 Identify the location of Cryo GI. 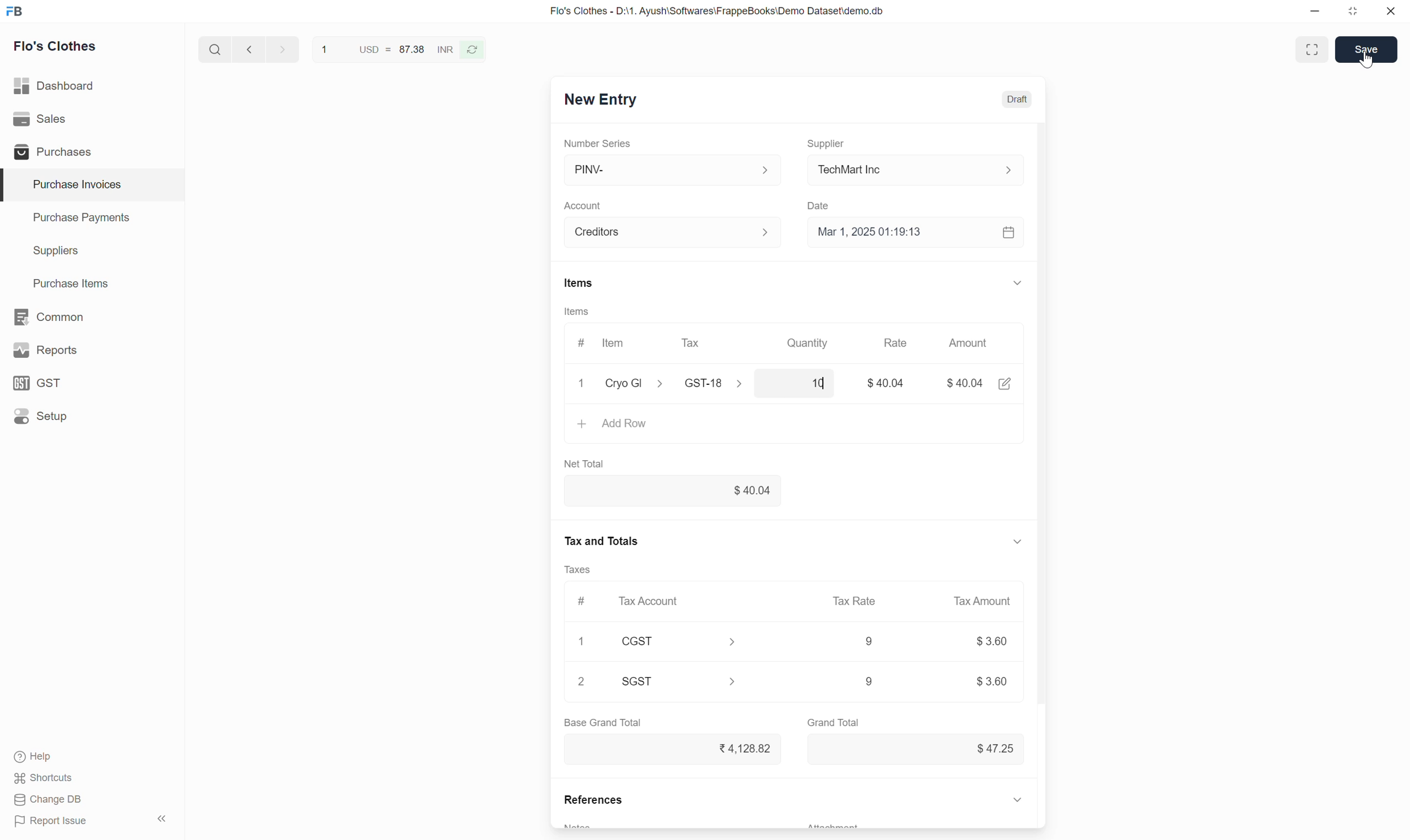
(634, 382).